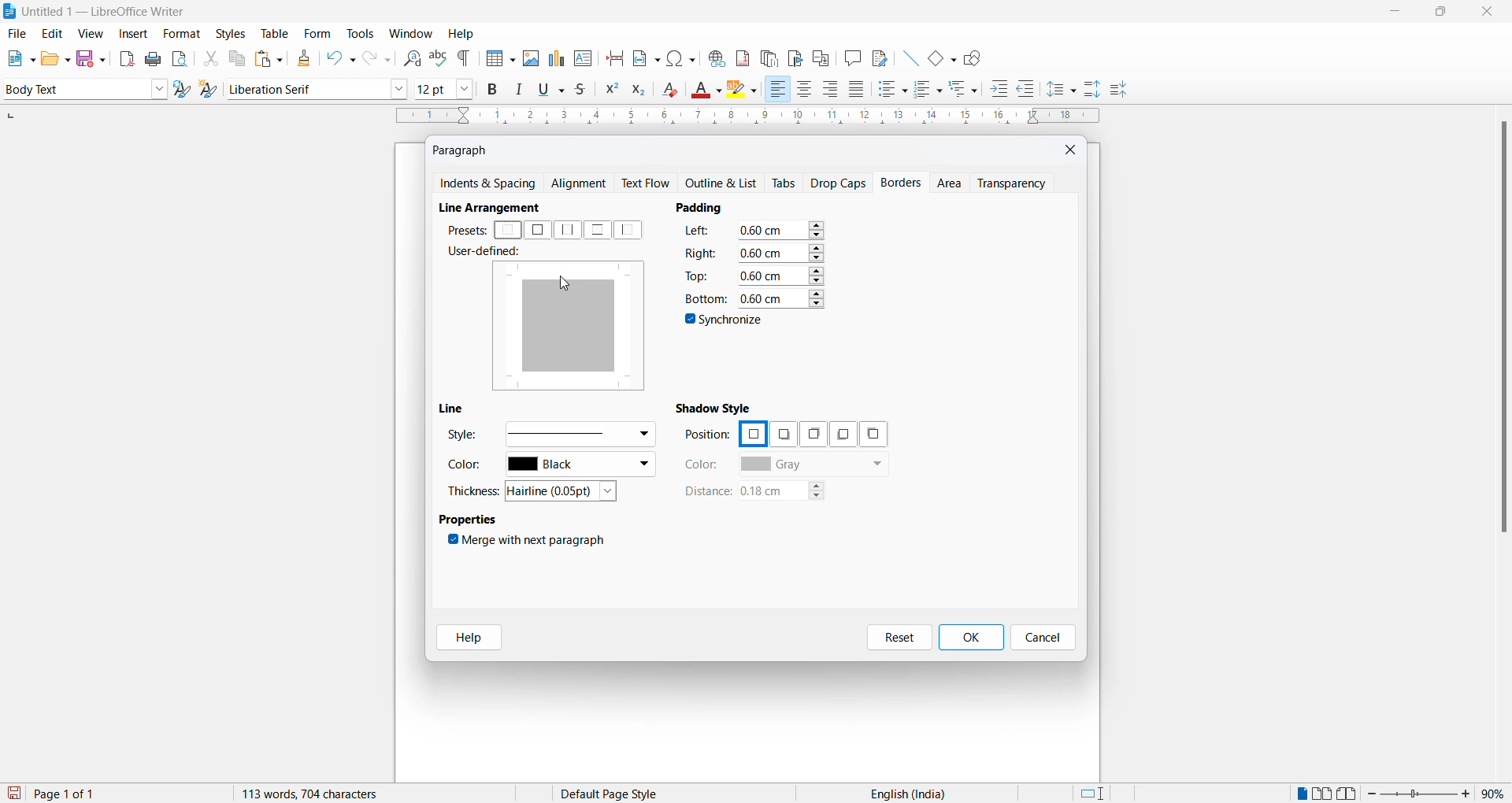 The image size is (1512, 803). Describe the element at coordinates (360, 34) in the screenshot. I see `tools` at that location.